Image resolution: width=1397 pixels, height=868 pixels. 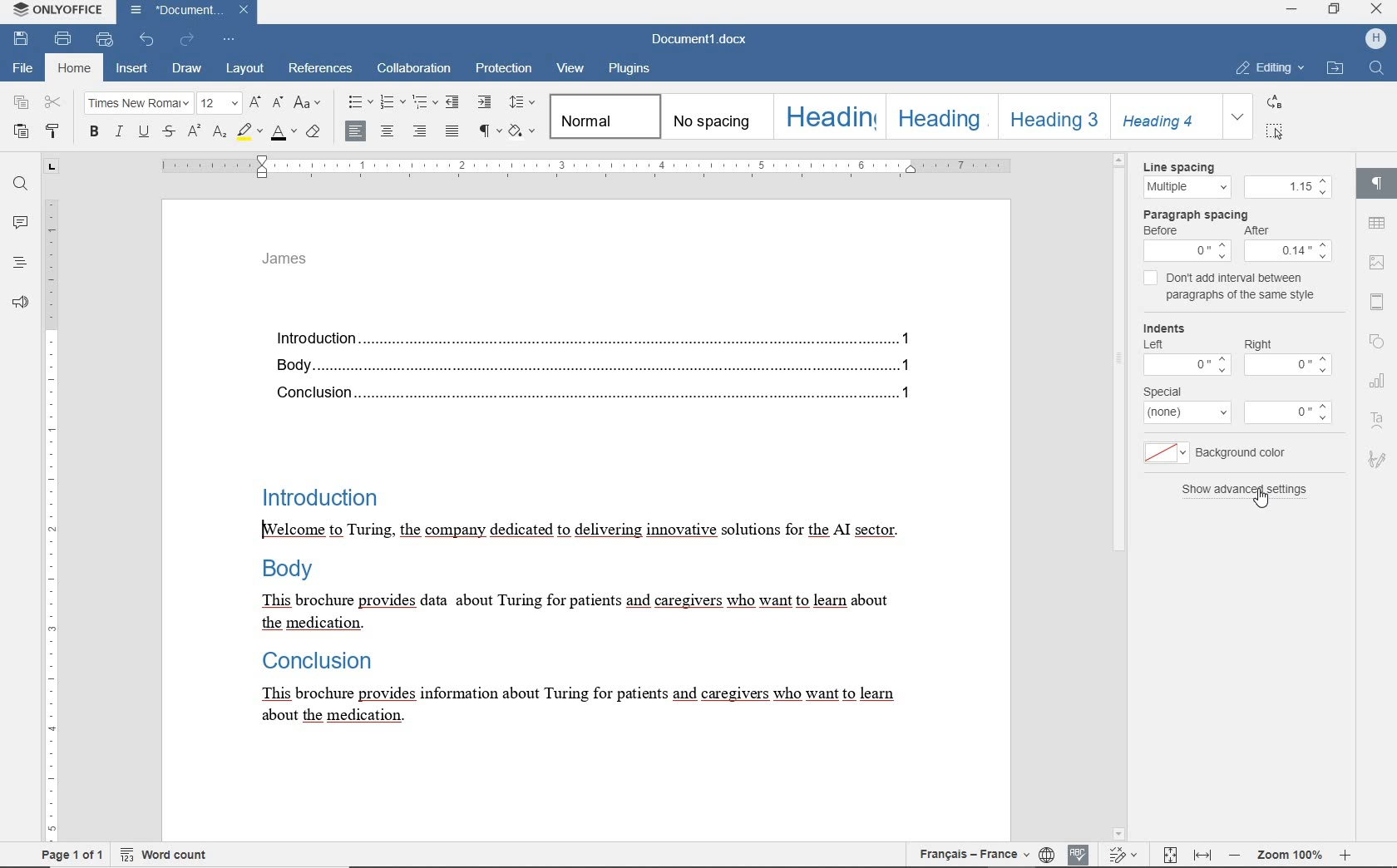 I want to click on home, so click(x=74, y=71).